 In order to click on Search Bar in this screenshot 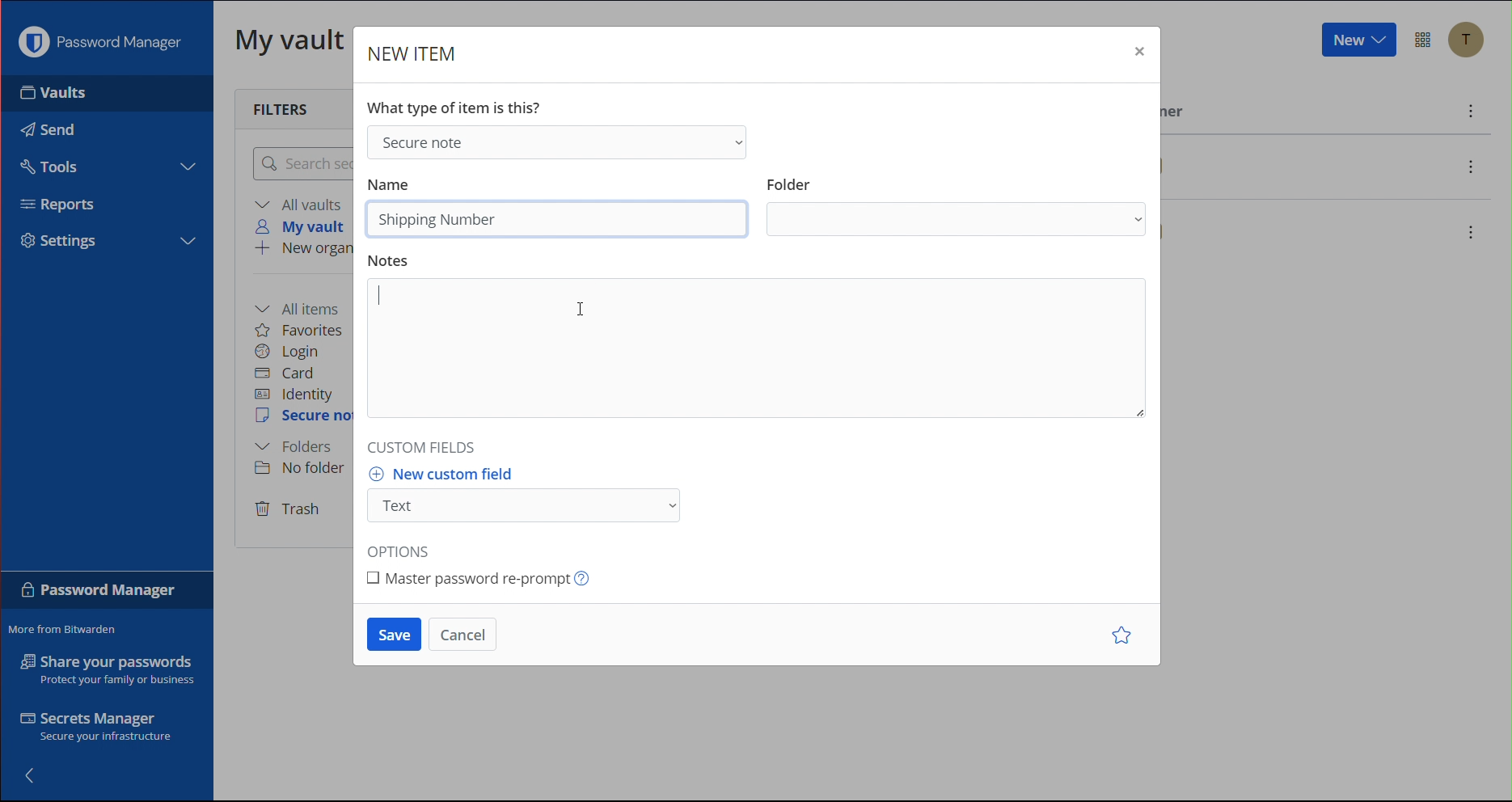, I will do `click(303, 165)`.